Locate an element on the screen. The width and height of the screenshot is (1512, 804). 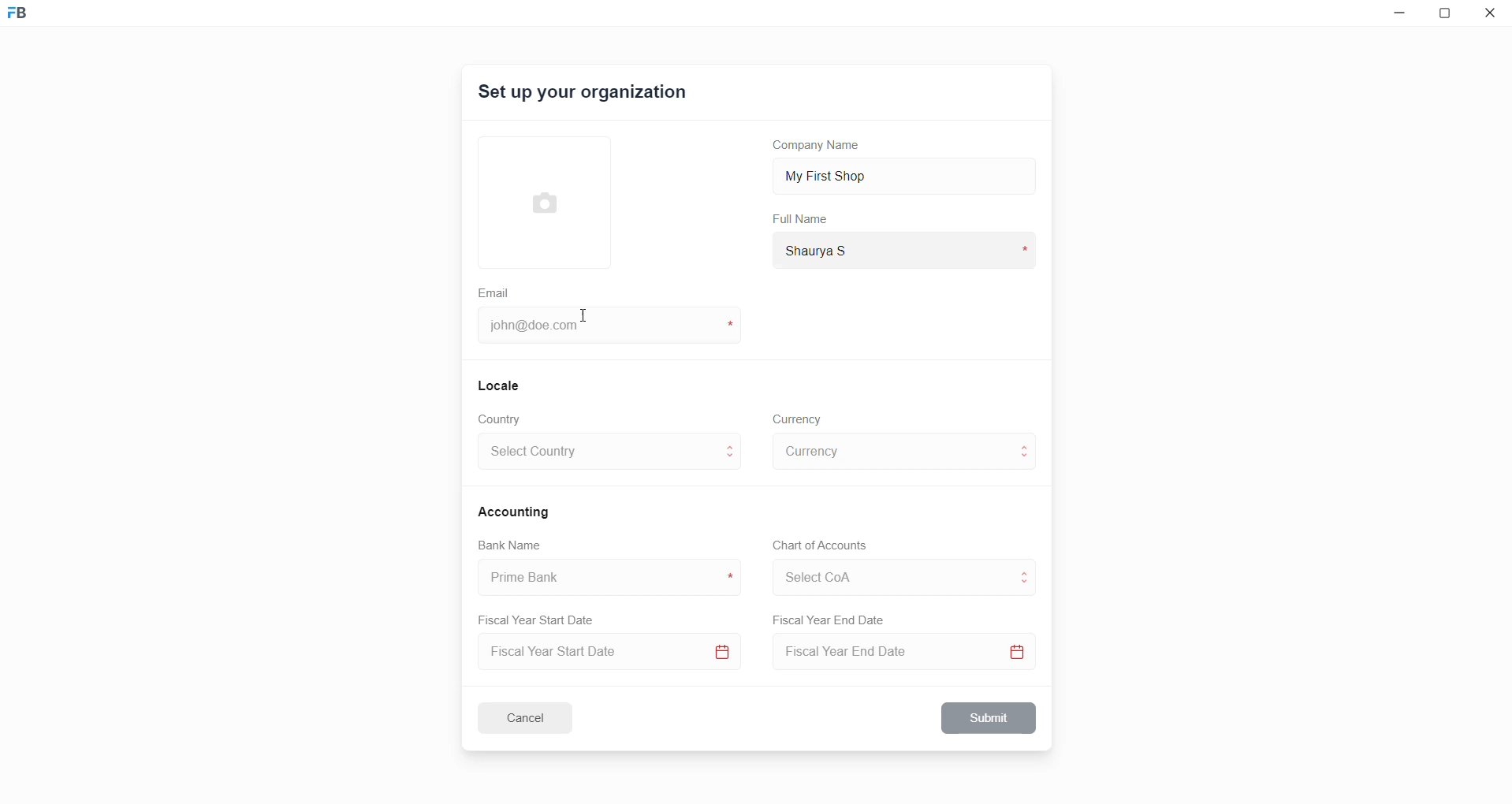
Set up your organization is located at coordinates (584, 95).